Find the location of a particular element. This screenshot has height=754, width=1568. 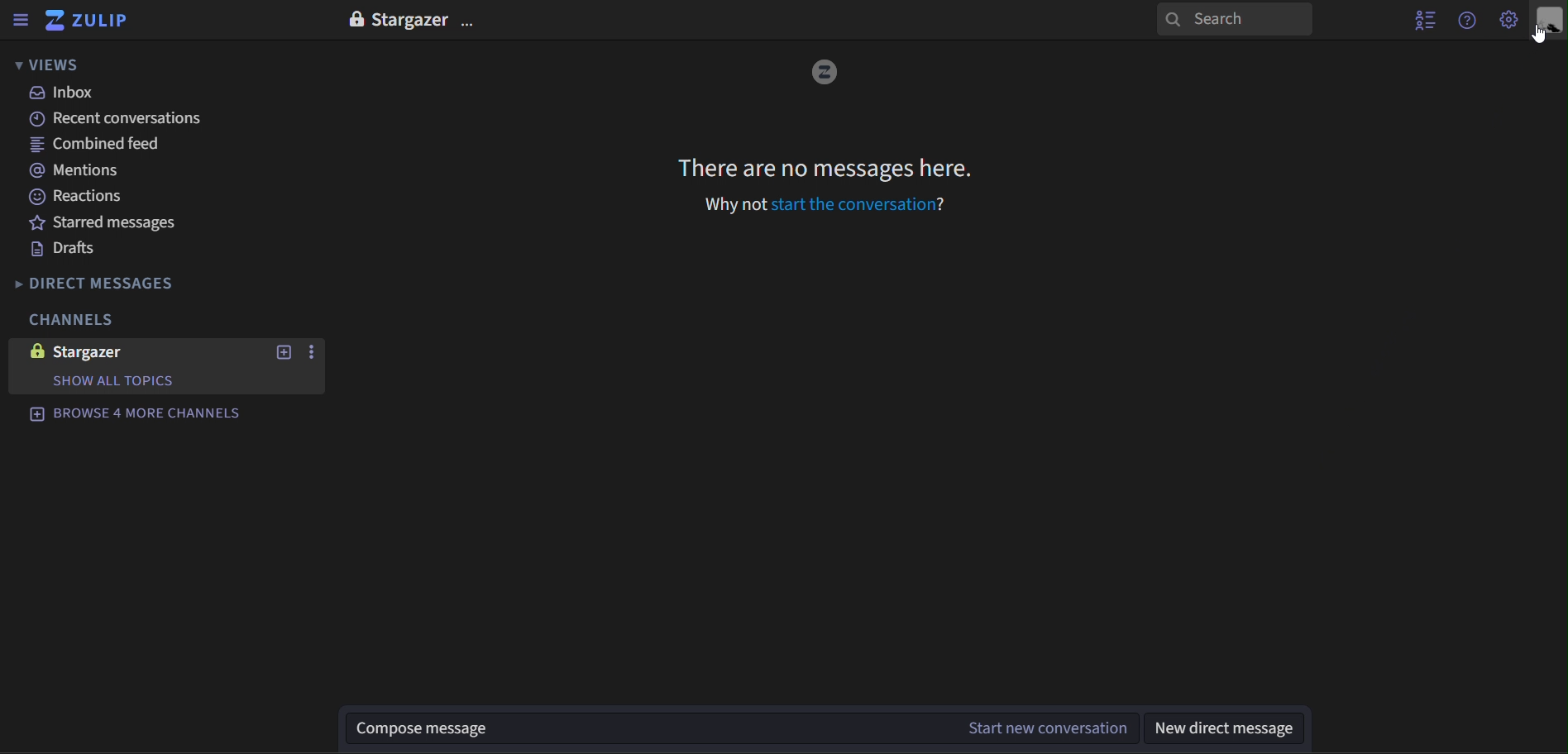

zulip is located at coordinates (94, 21).